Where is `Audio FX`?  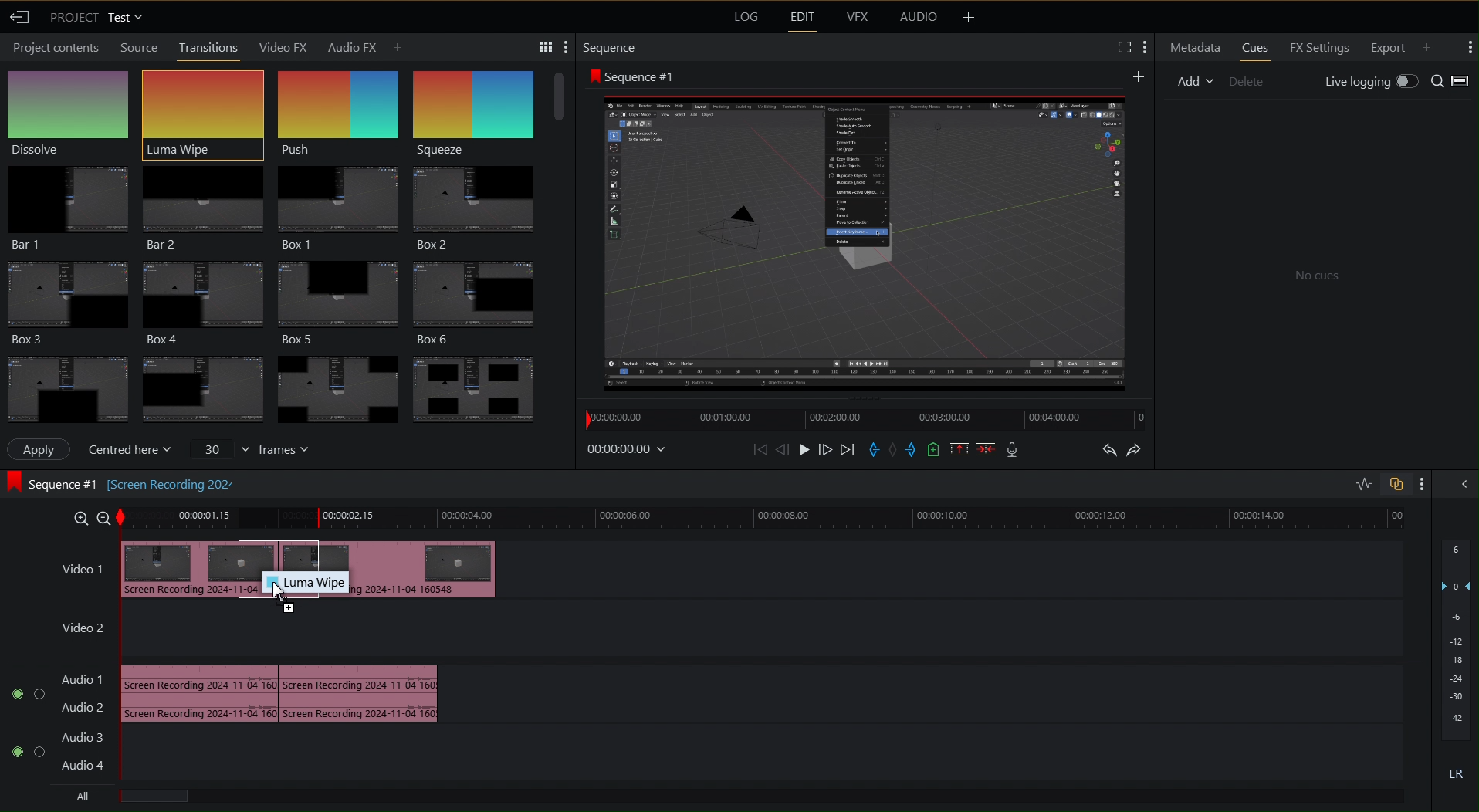
Audio FX is located at coordinates (364, 46).